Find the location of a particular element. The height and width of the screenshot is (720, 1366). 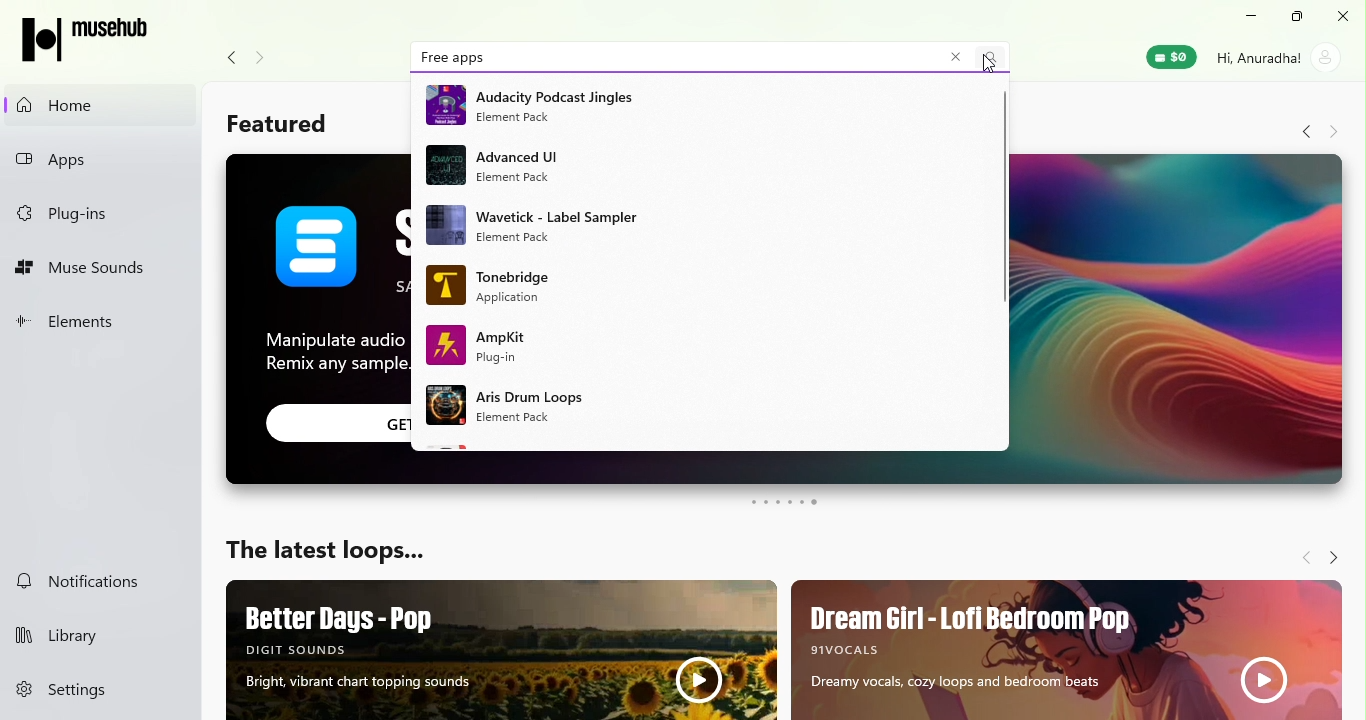

Account is located at coordinates (1279, 56).